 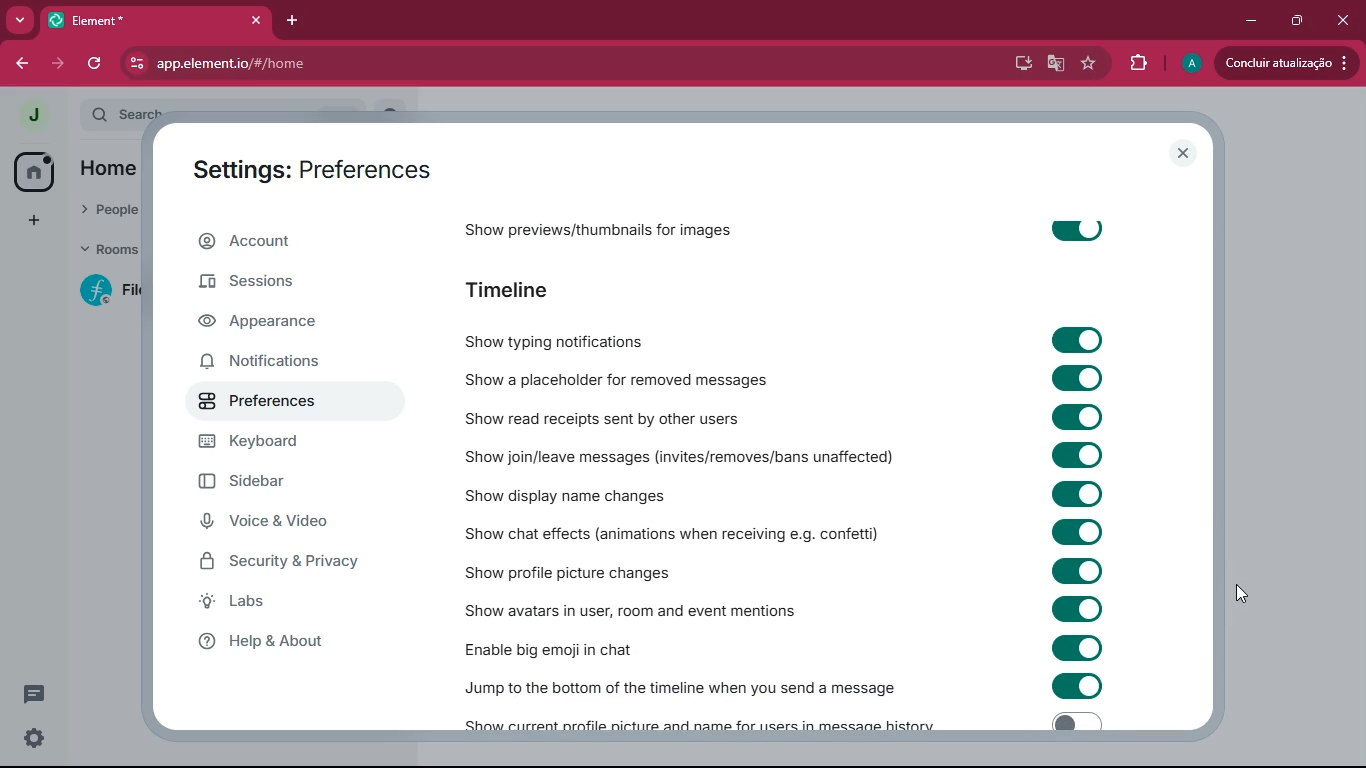 I want to click on concluir atualizacao, so click(x=1287, y=62).